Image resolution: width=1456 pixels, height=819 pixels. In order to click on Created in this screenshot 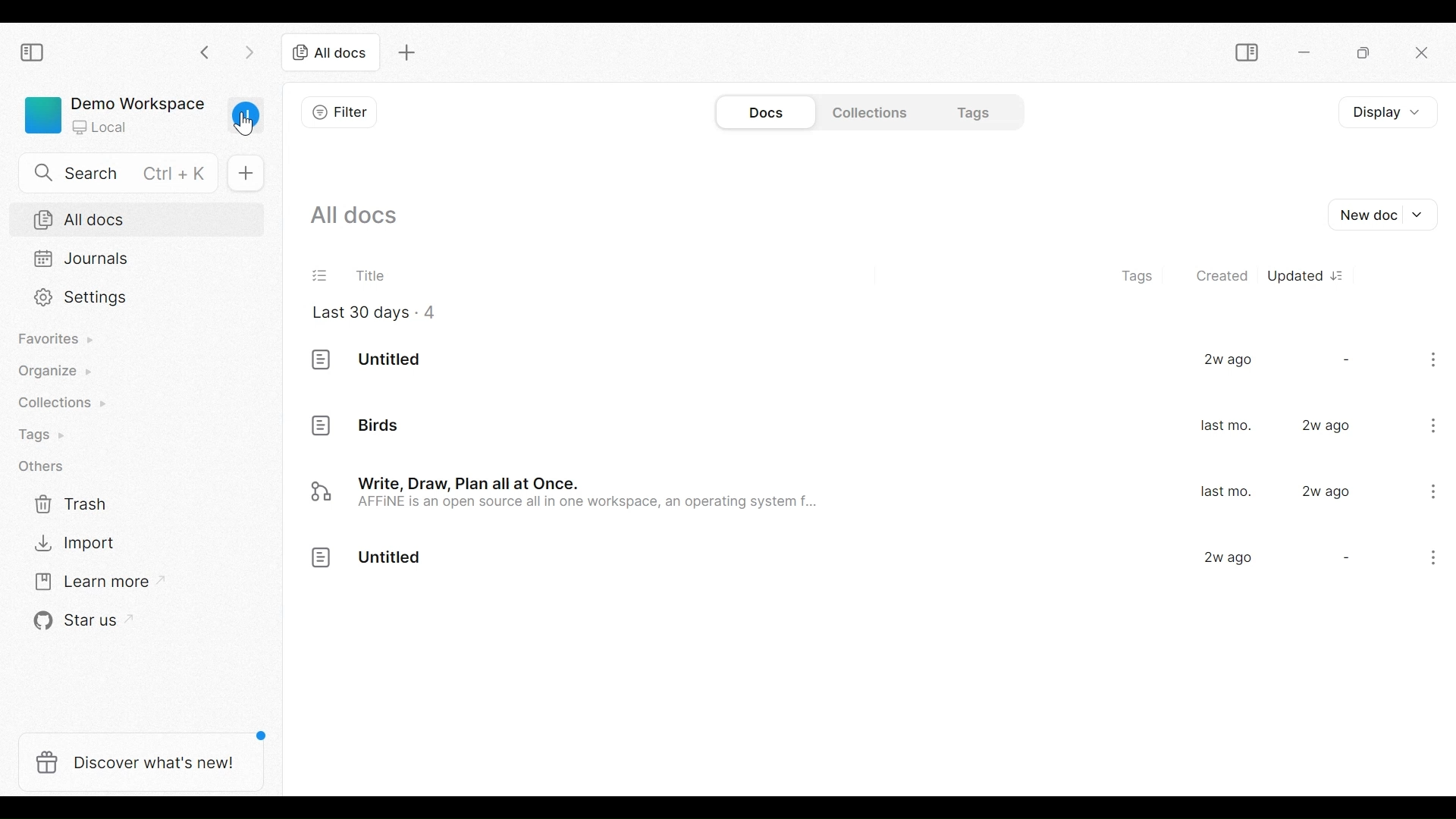, I will do `click(1220, 273)`.